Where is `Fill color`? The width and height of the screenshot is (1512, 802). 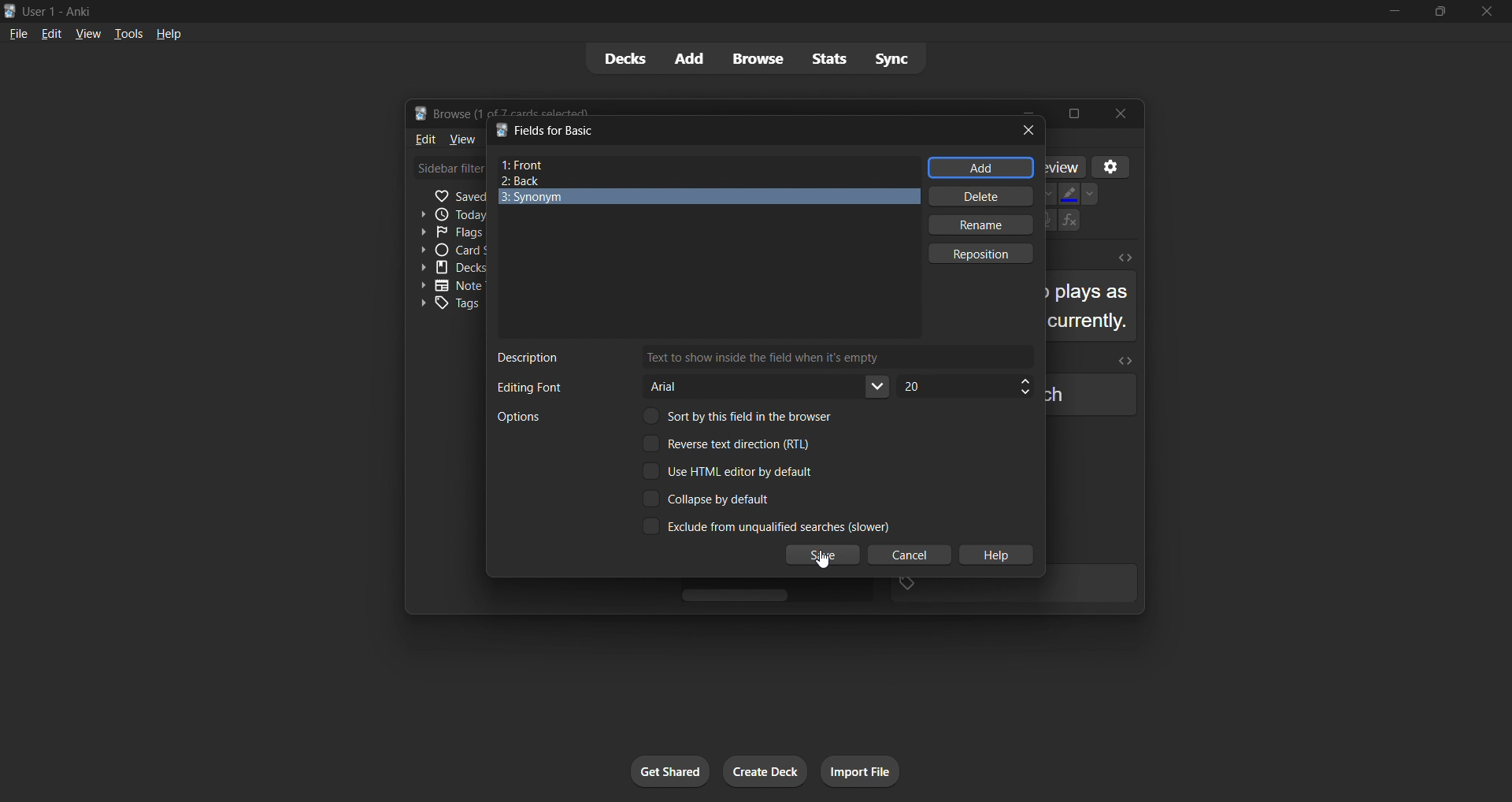
Fill color is located at coordinates (1067, 192).